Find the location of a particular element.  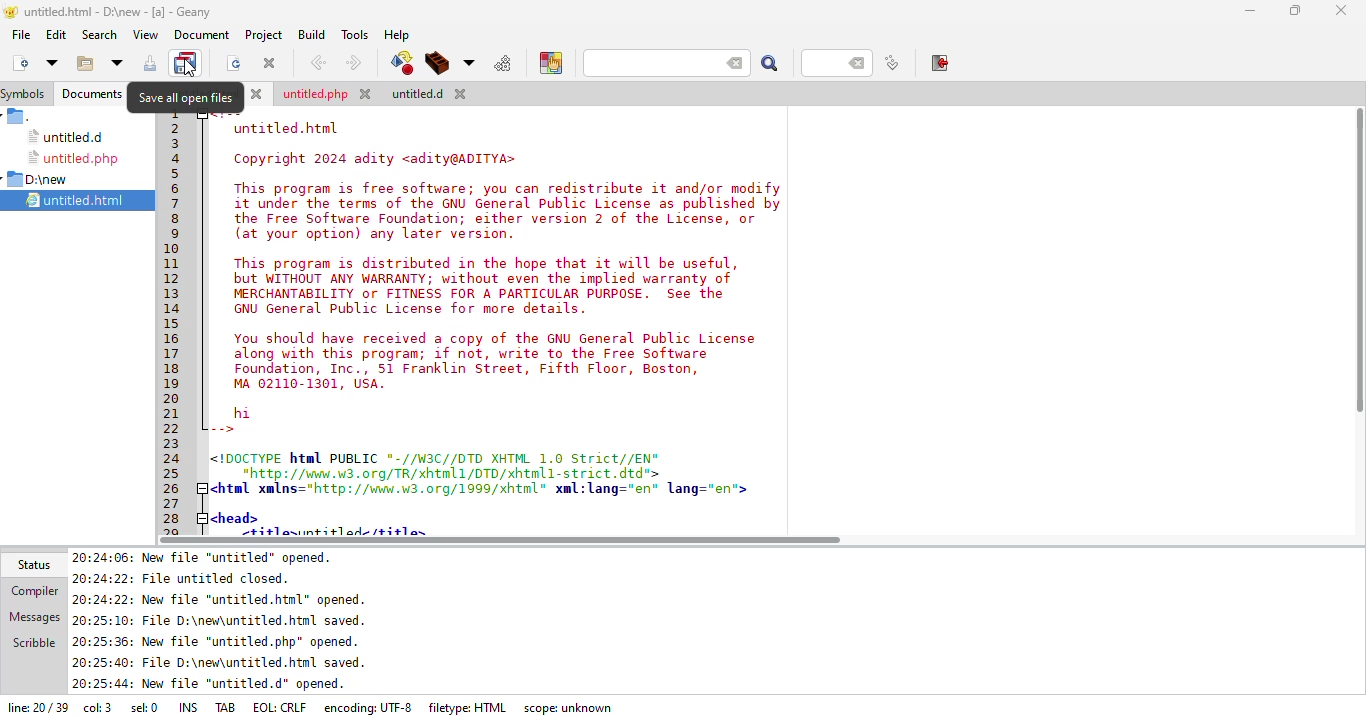

minimize is located at coordinates (1249, 9).